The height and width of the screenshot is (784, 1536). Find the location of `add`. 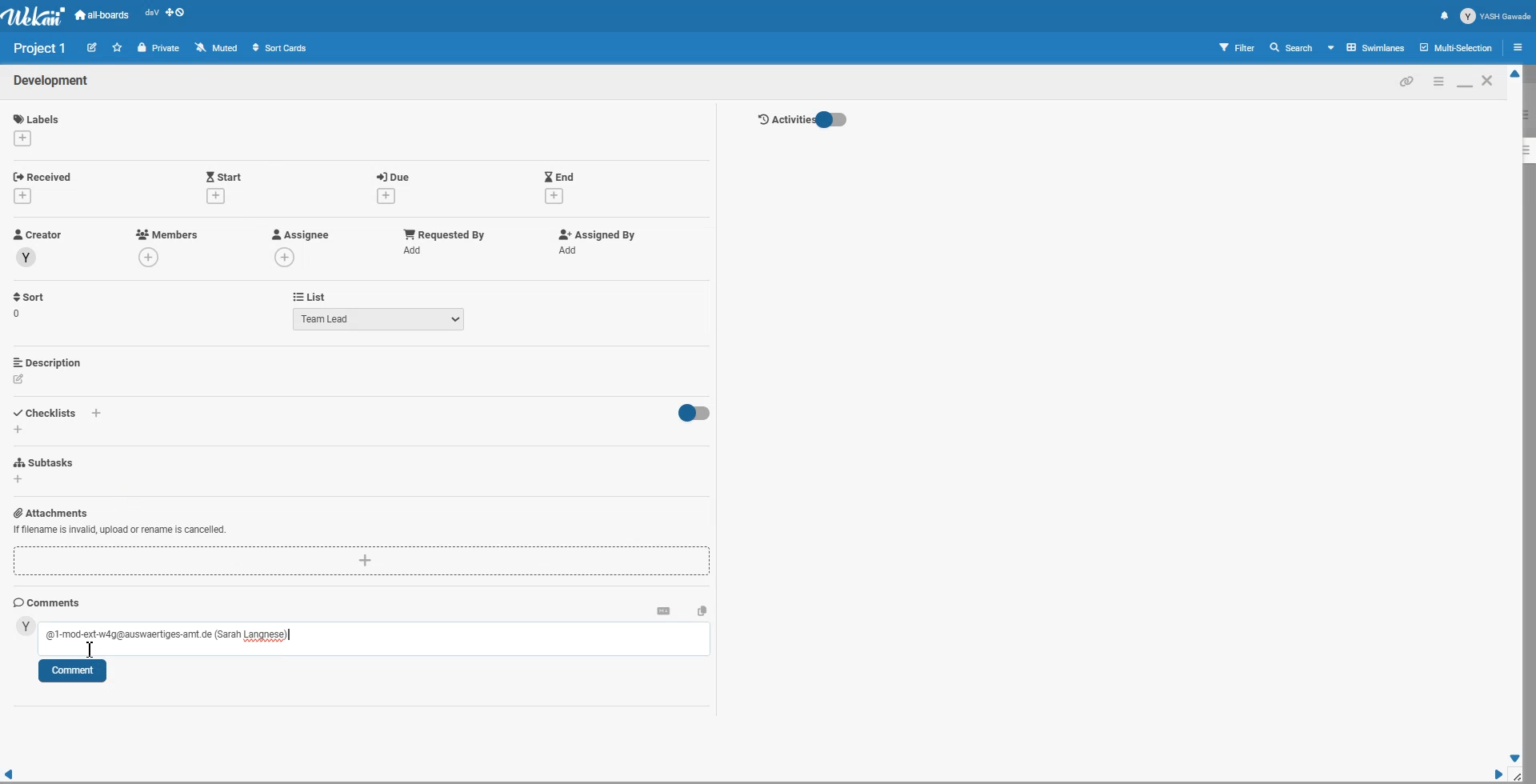

add is located at coordinates (383, 196).